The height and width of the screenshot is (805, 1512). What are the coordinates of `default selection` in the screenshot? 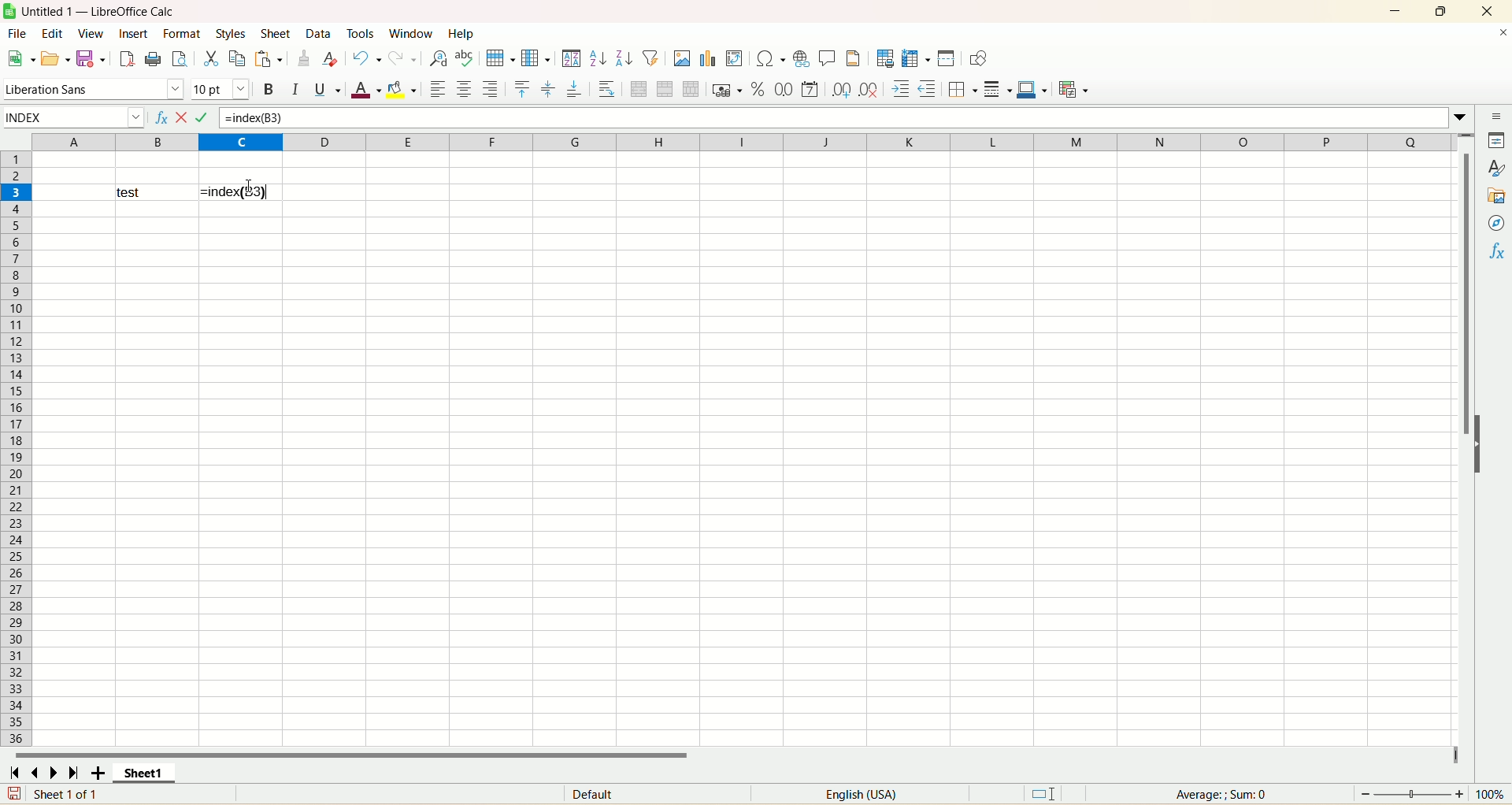 It's located at (1043, 794).